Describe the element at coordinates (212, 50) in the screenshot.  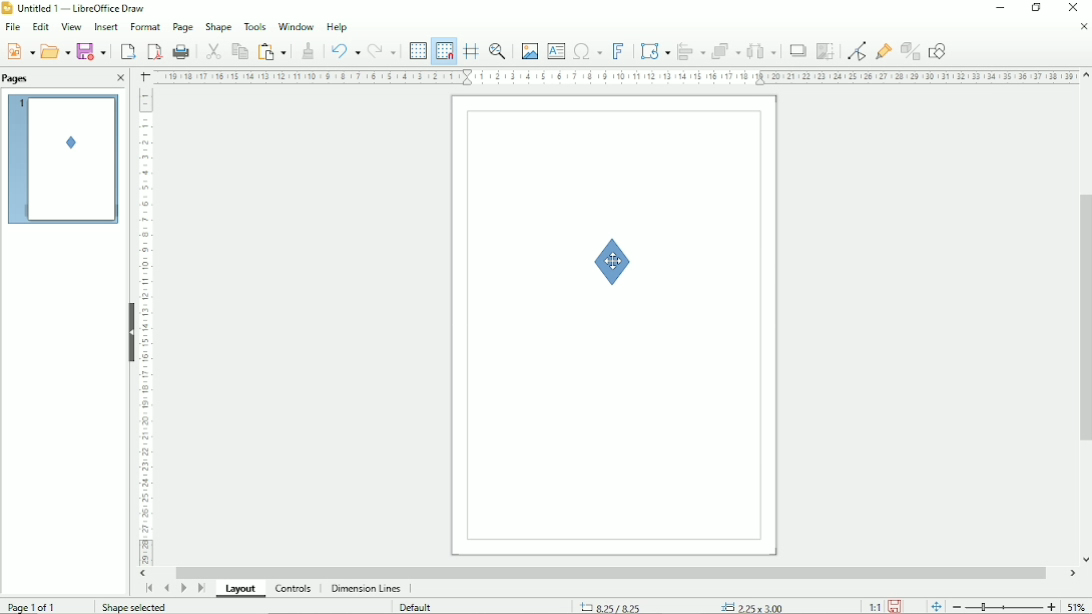
I see `Cut` at that location.